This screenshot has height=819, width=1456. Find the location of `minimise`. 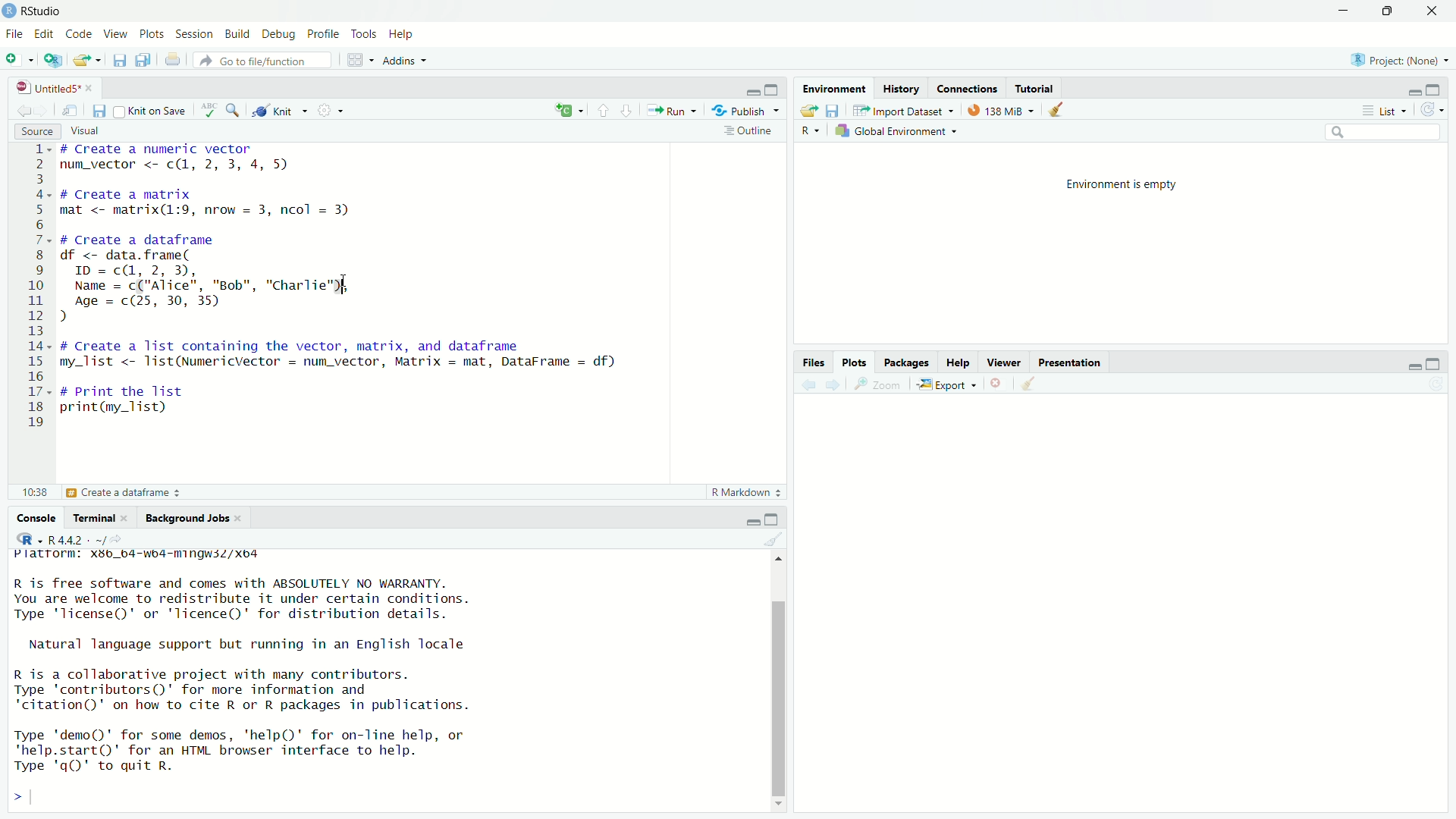

minimise is located at coordinates (1330, 14).